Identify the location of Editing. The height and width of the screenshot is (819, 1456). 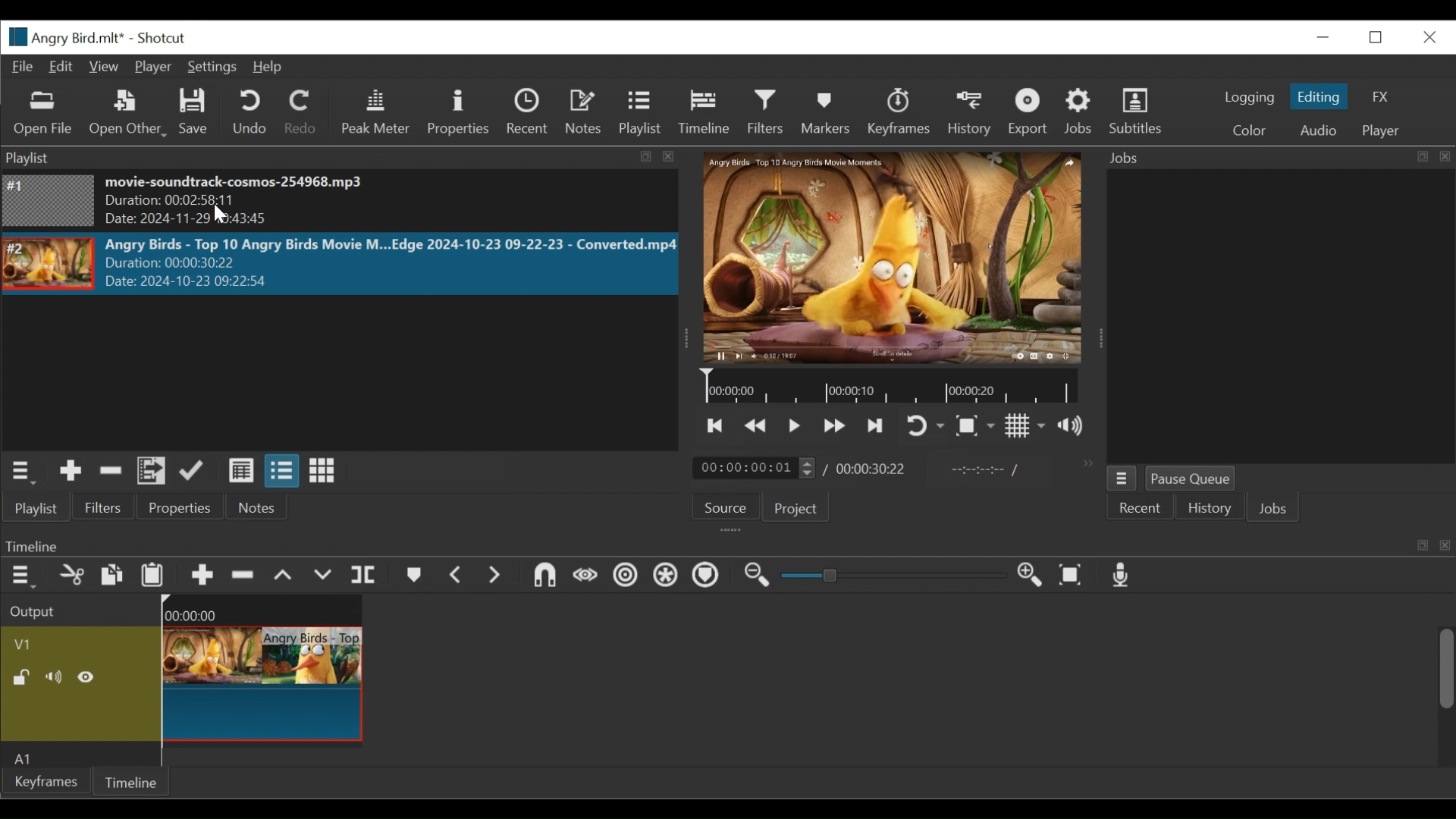
(1319, 97).